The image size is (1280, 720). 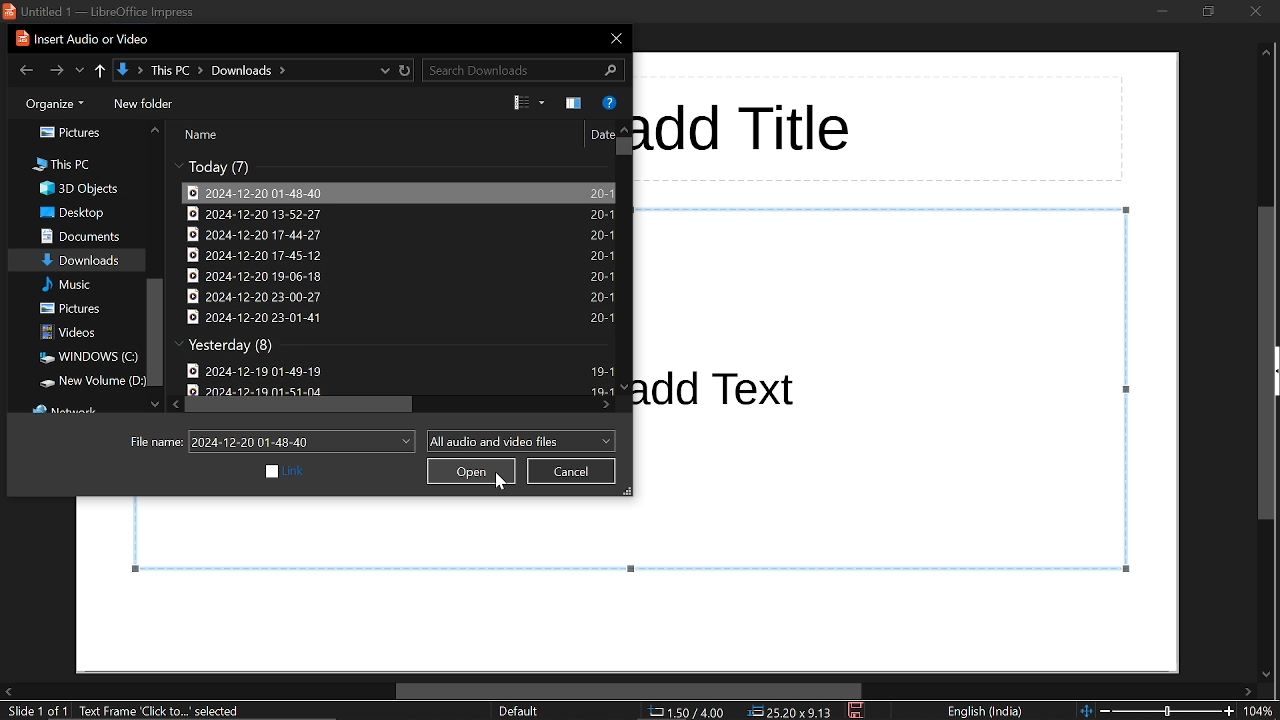 I want to click on previous, so click(x=23, y=69).